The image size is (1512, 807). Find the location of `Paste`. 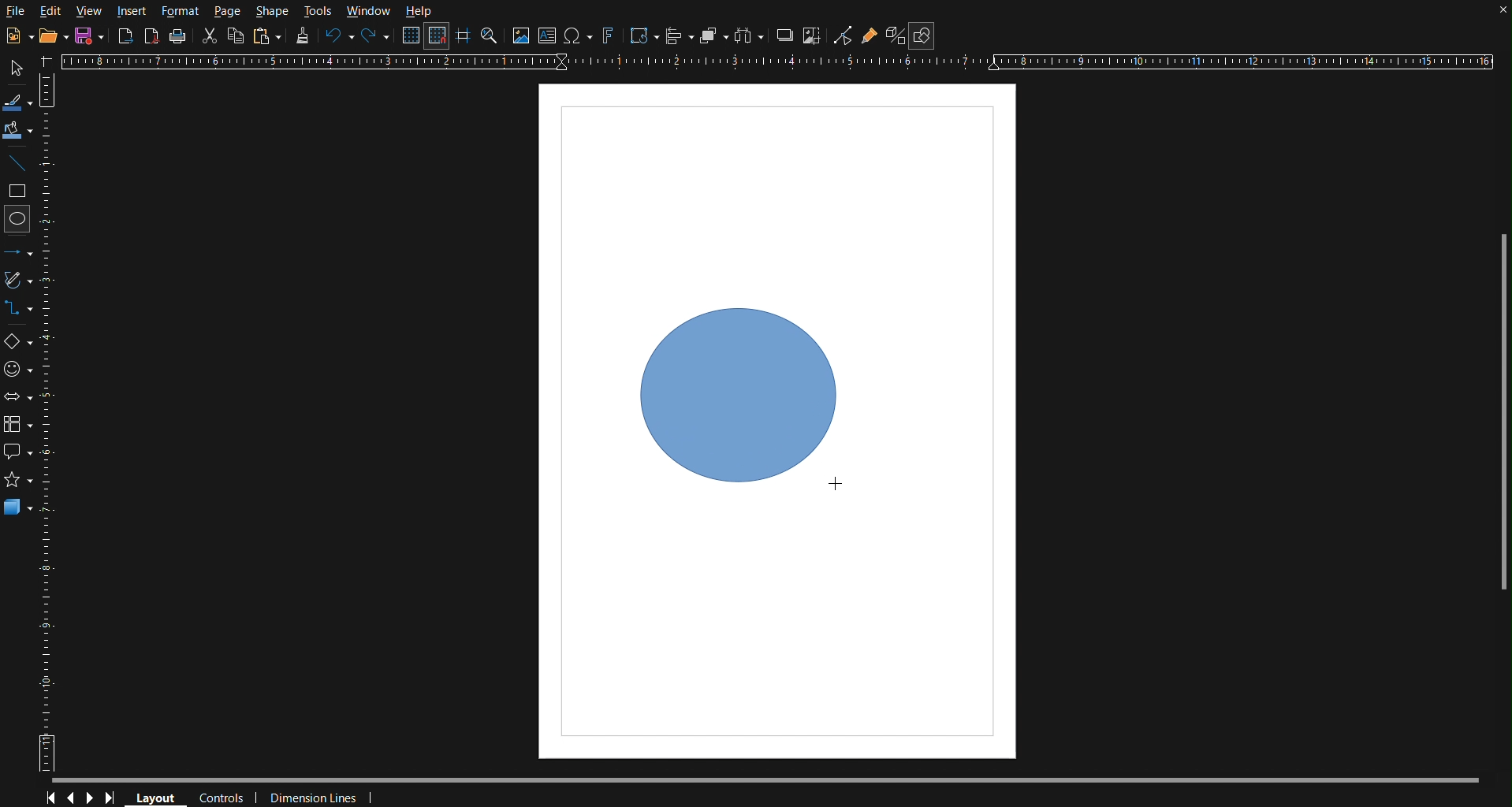

Paste is located at coordinates (267, 36).